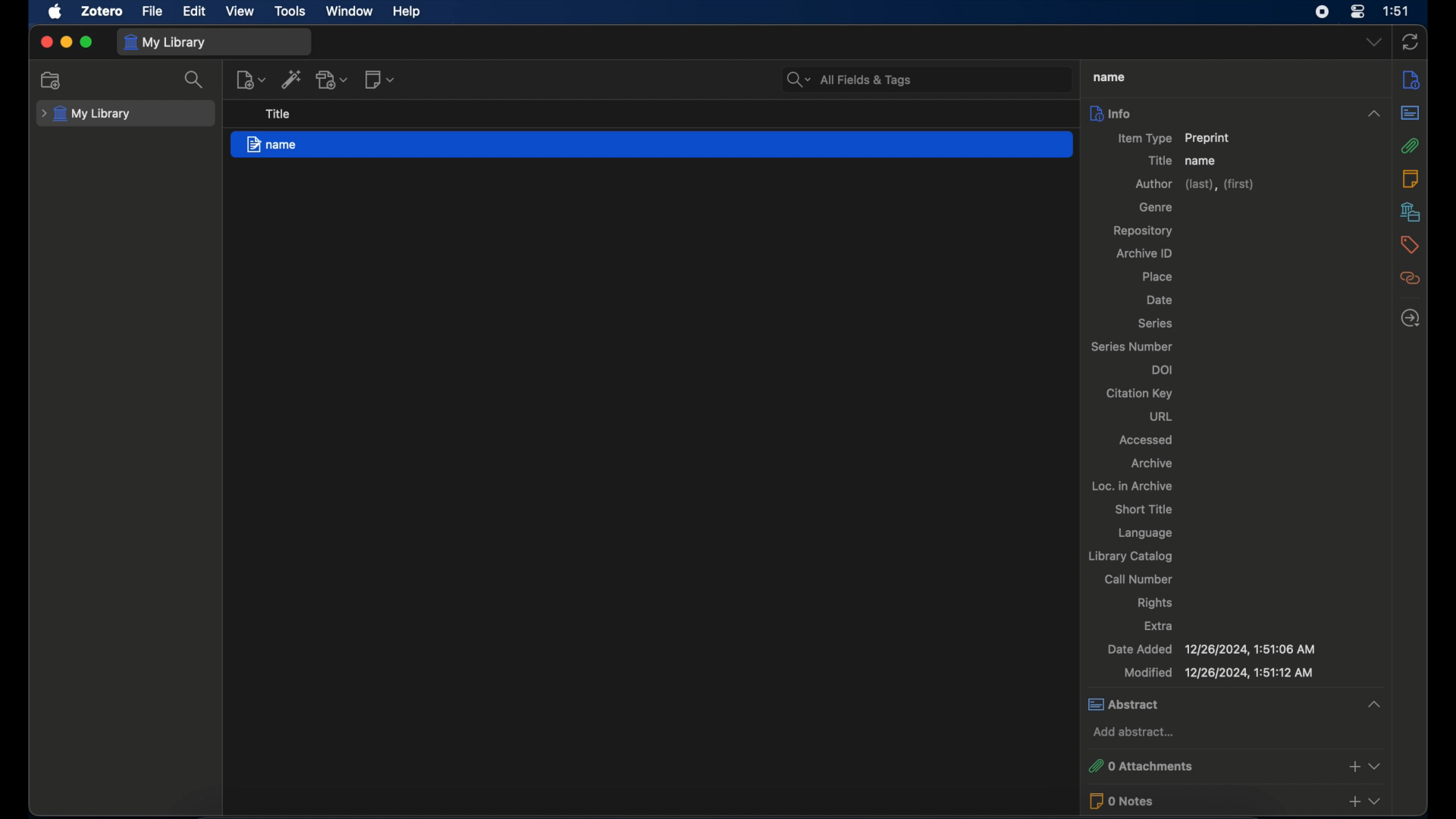 The image size is (1456, 819). What do you see at coordinates (1141, 579) in the screenshot?
I see `call number` at bounding box center [1141, 579].